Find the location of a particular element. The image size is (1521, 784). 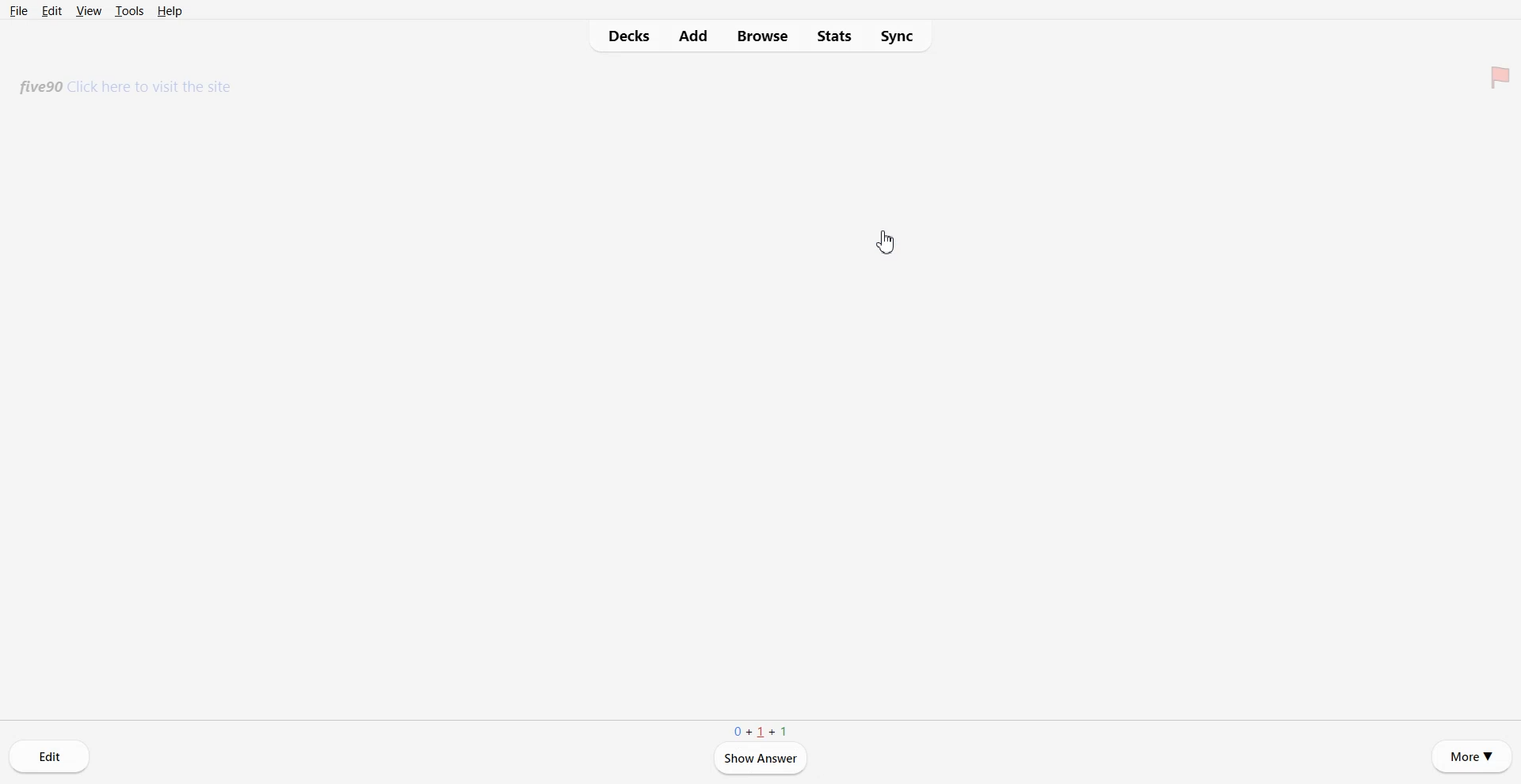

Text Animation is located at coordinates (129, 89).